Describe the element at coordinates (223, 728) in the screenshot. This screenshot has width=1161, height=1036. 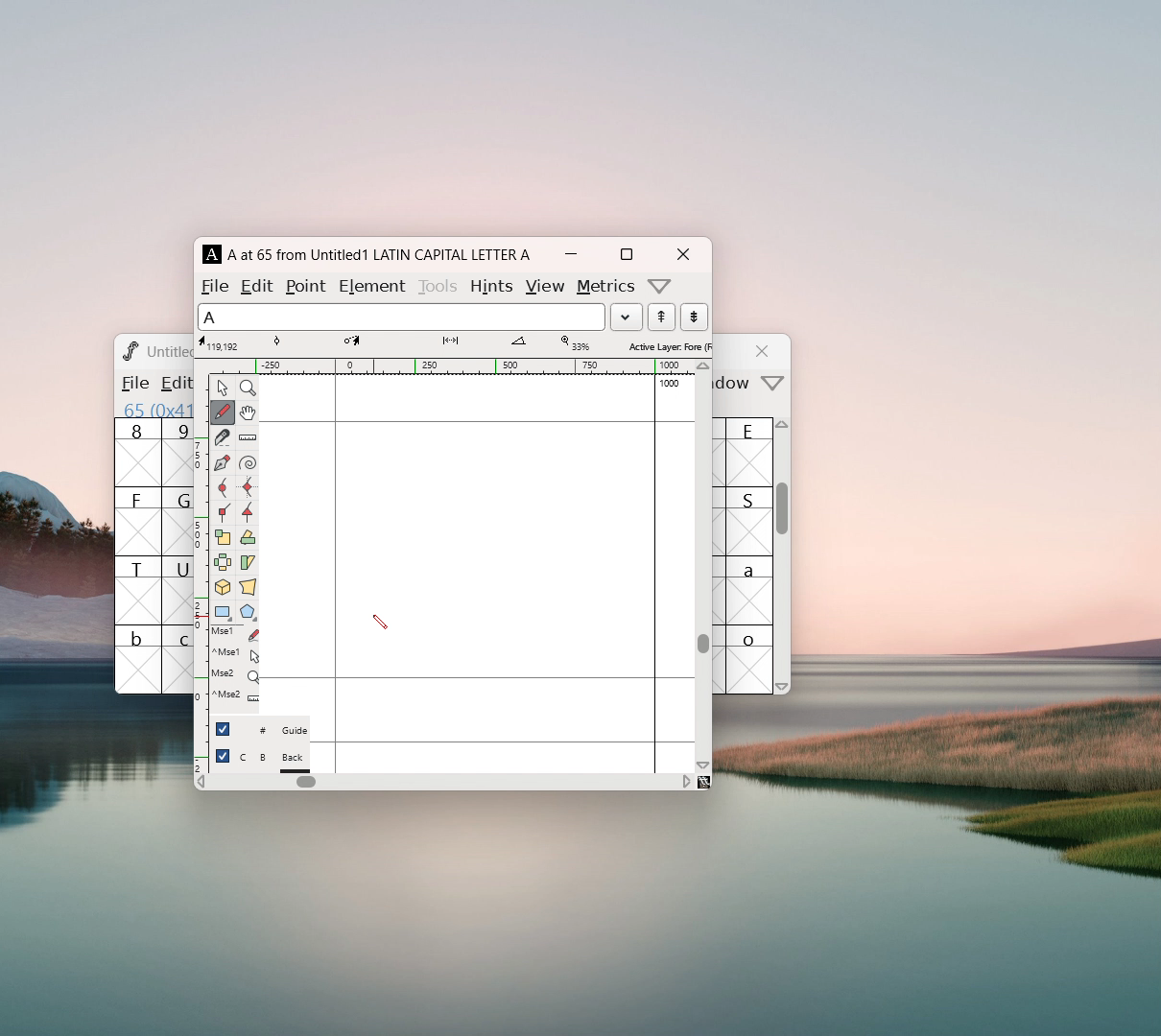
I see `checkbox` at that location.